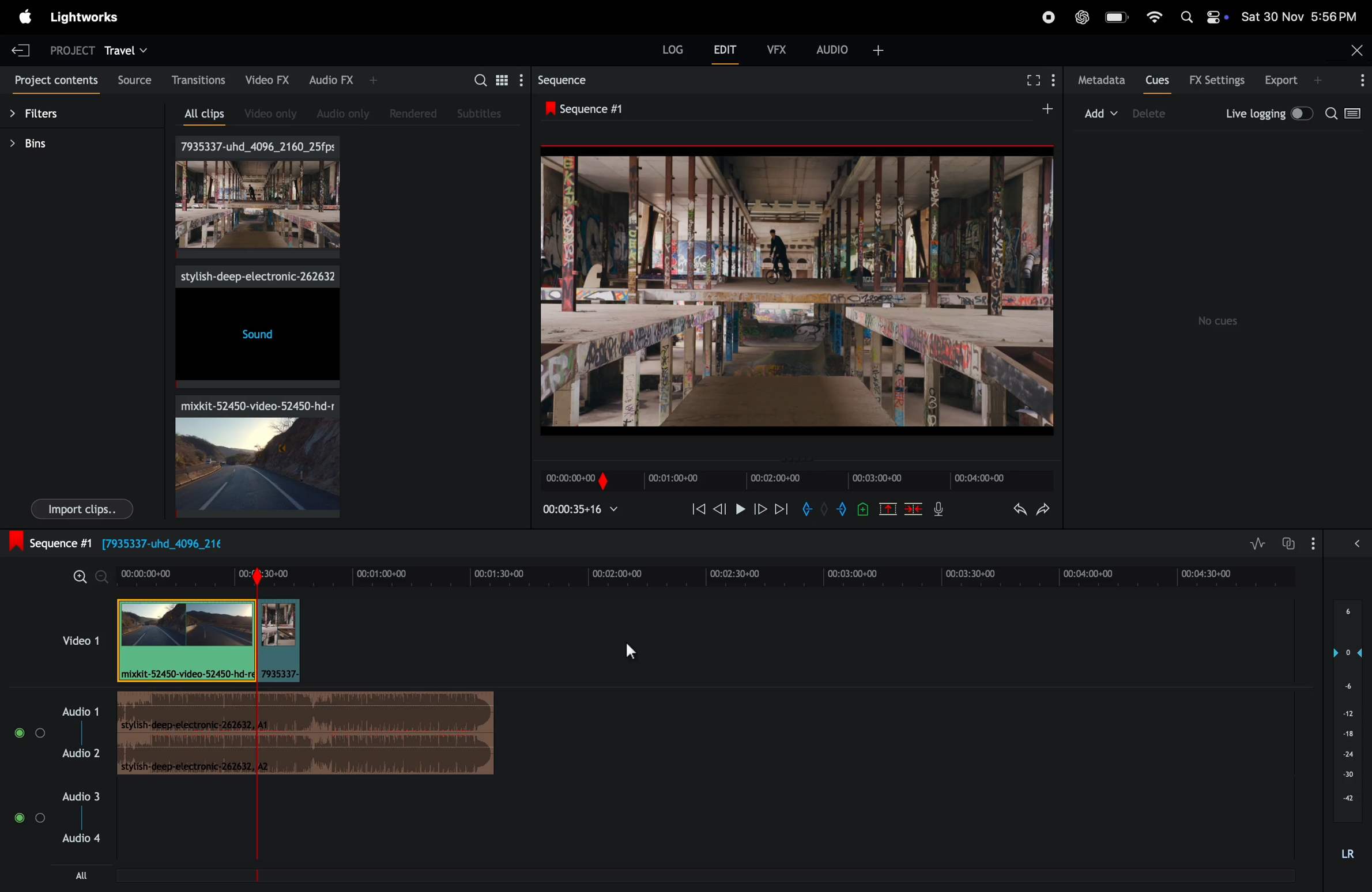  Describe the element at coordinates (309, 735) in the screenshot. I see `audip track` at that location.